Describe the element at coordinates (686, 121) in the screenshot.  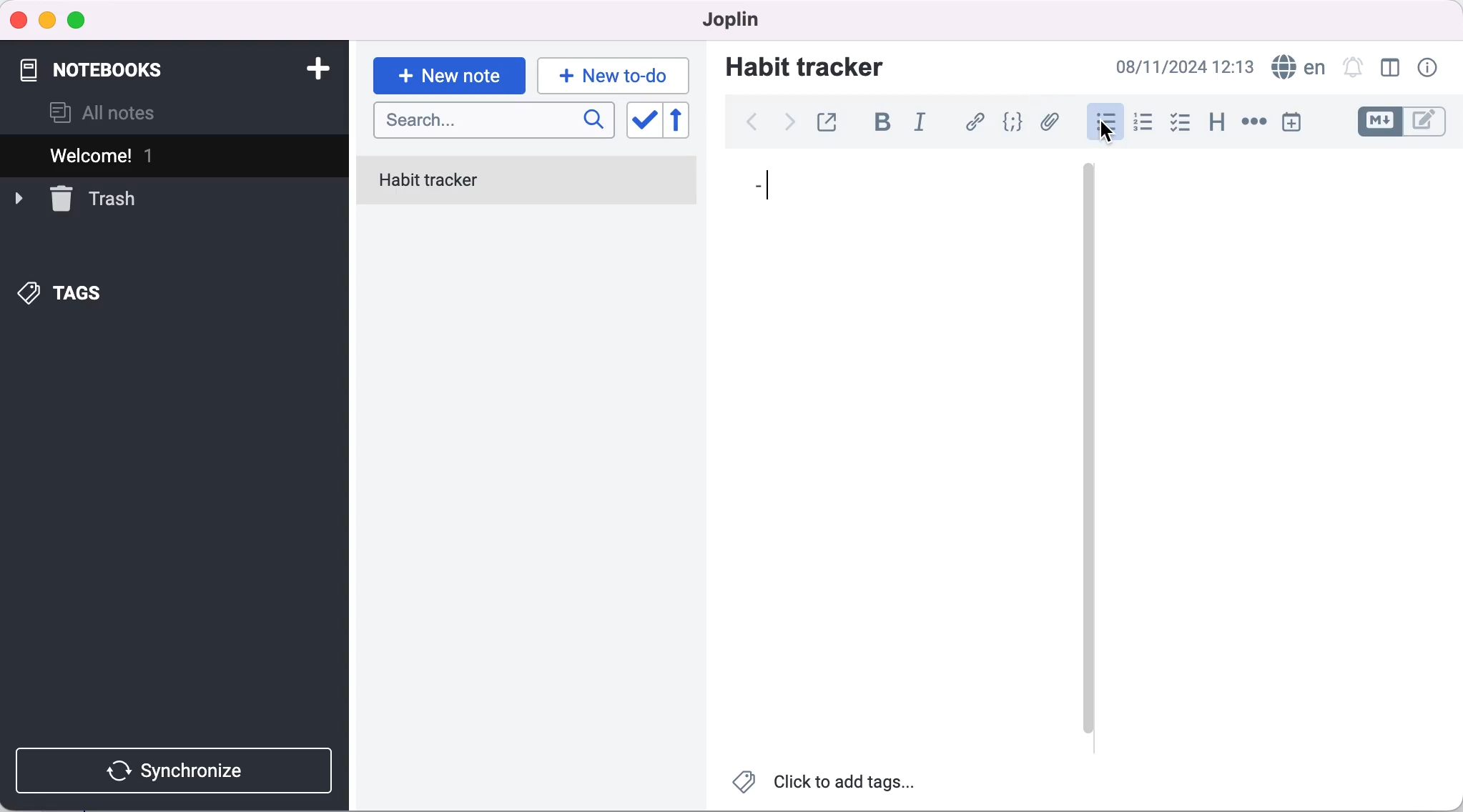
I see `reverse sort order` at that location.